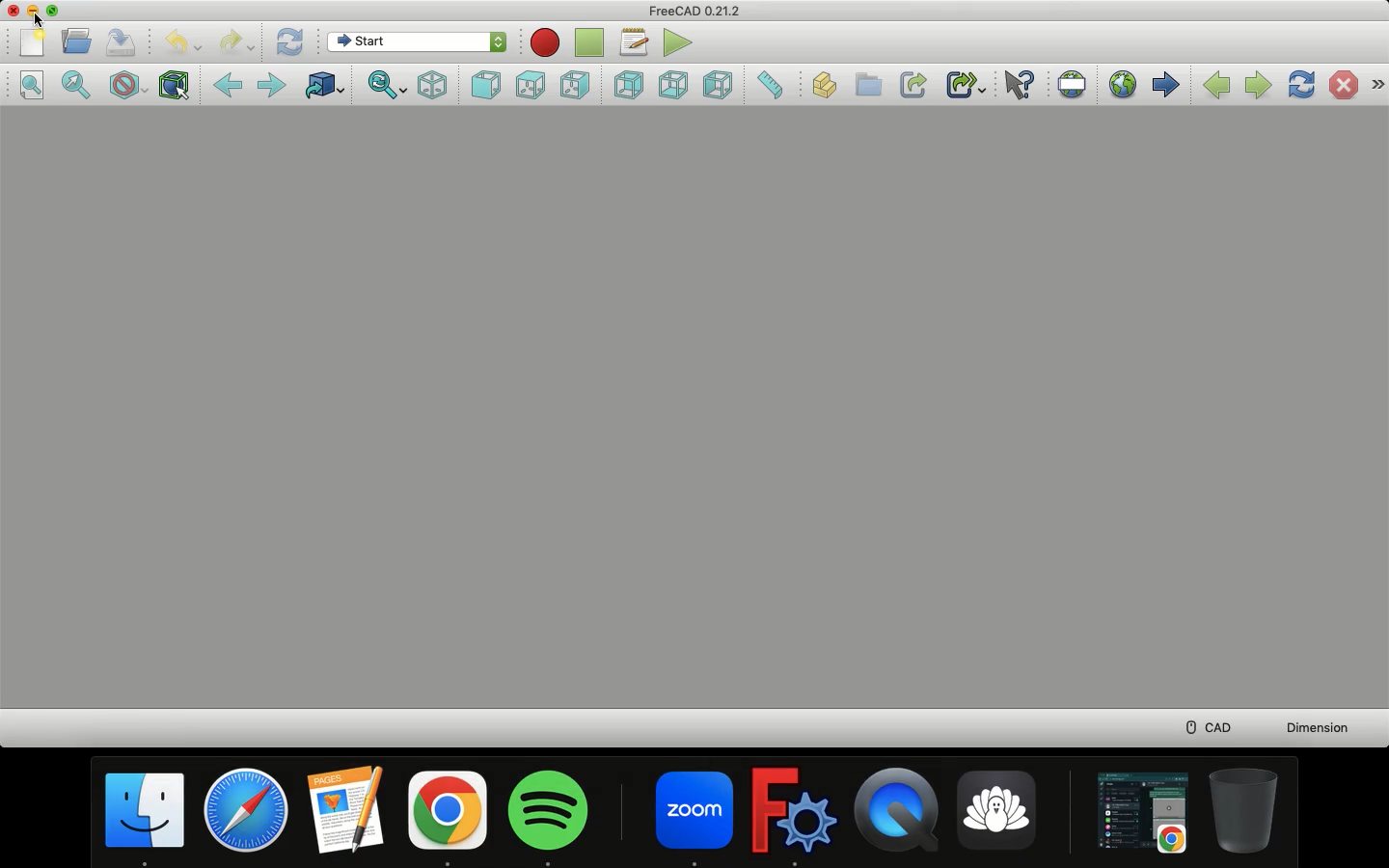  I want to click on Right, so click(577, 84).